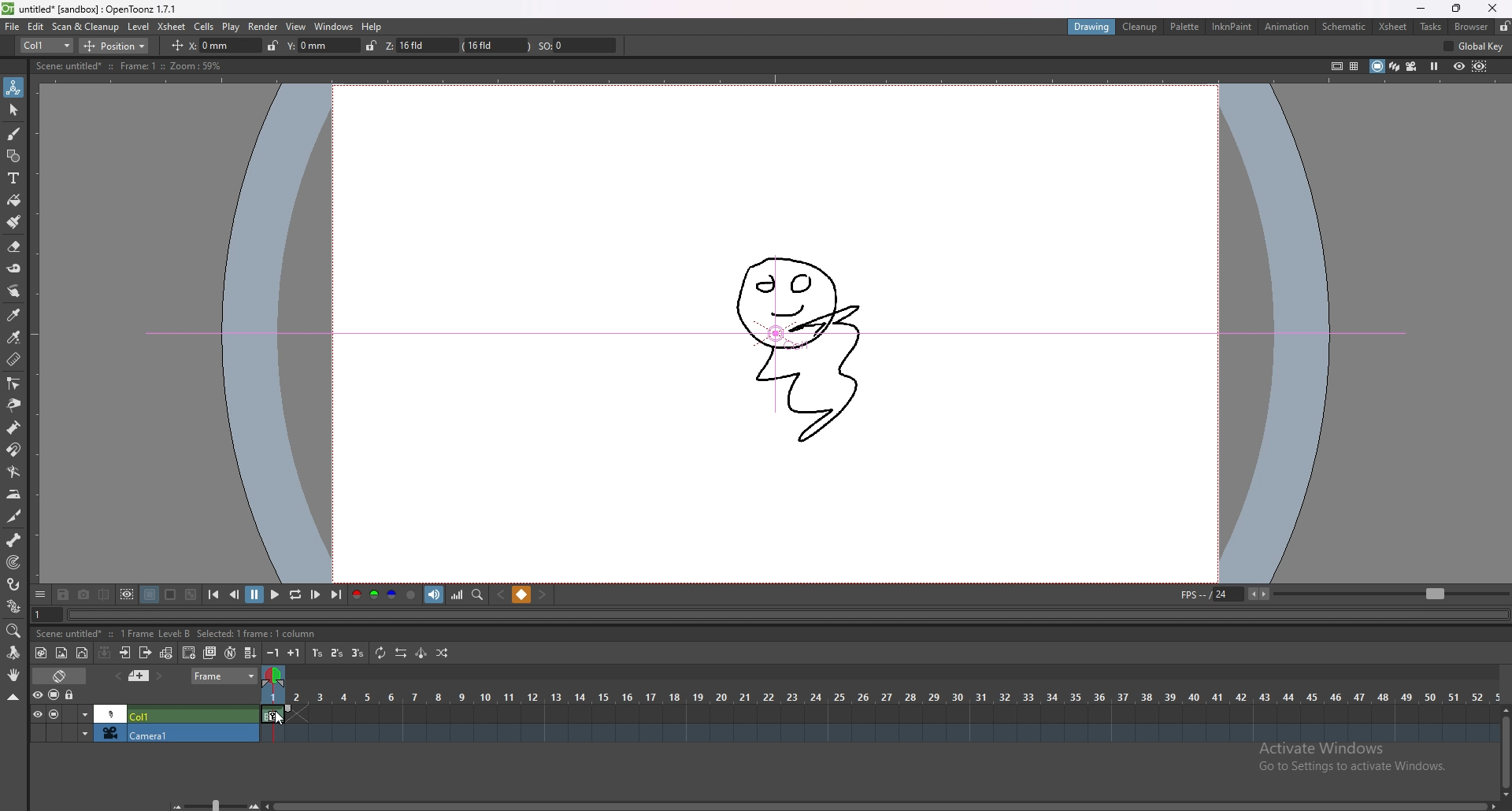 The width and height of the screenshot is (1512, 811). Describe the element at coordinates (235, 595) in the screenshot. I see `previous` at that location.